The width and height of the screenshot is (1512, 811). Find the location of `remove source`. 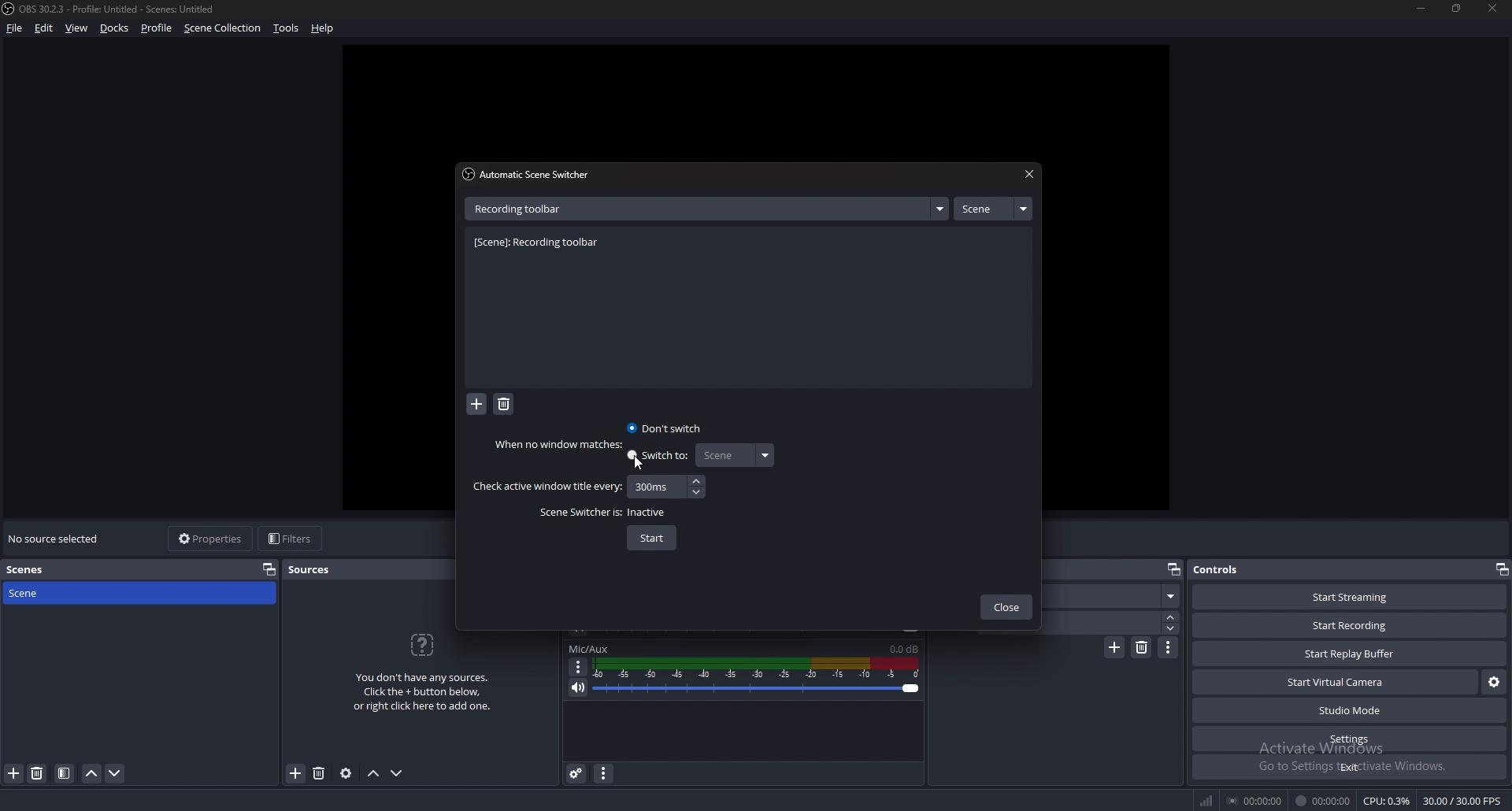

remove source is located at coordinates (319, 774).